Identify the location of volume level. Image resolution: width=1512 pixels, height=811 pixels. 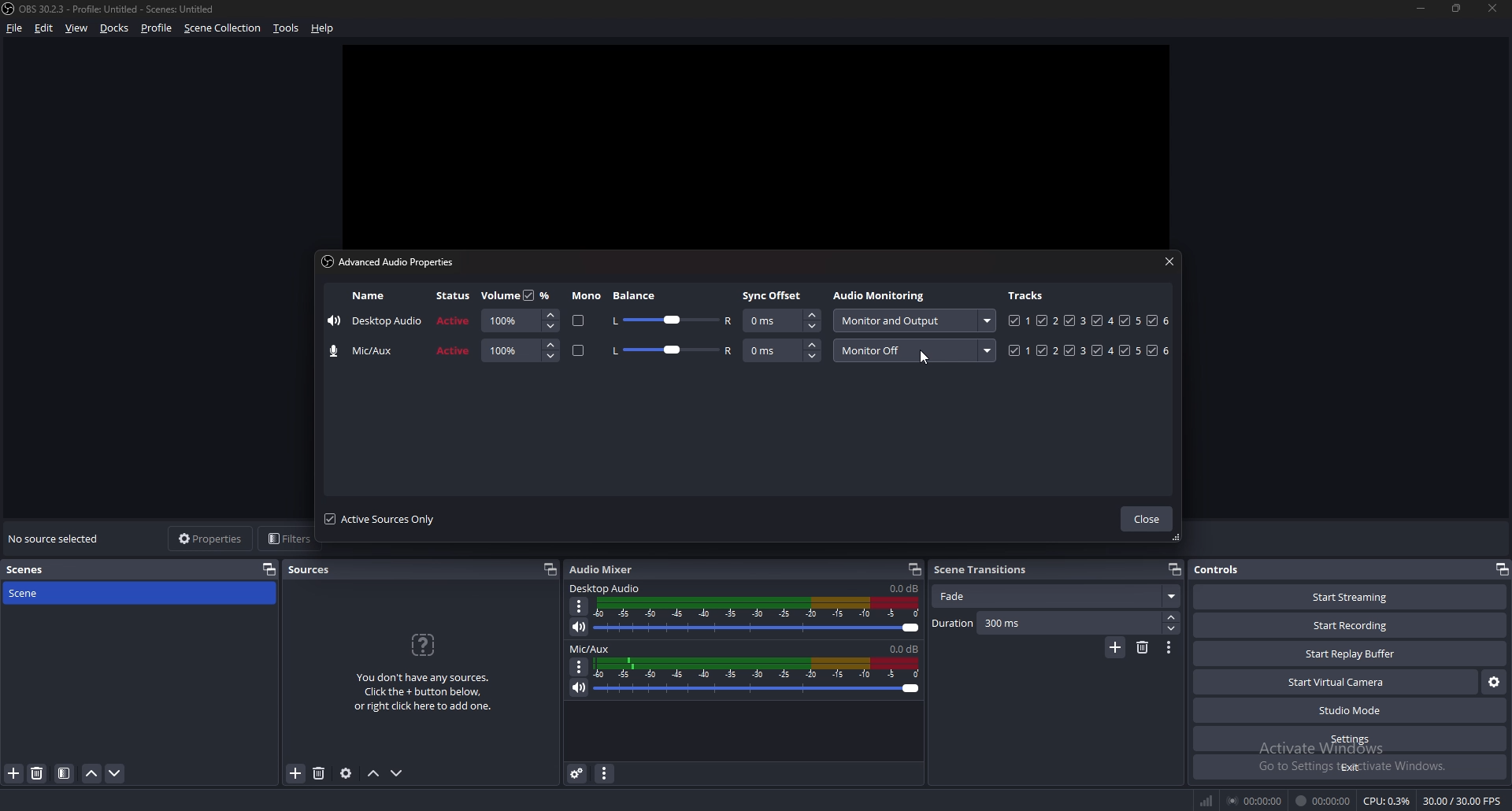
(905, 648).